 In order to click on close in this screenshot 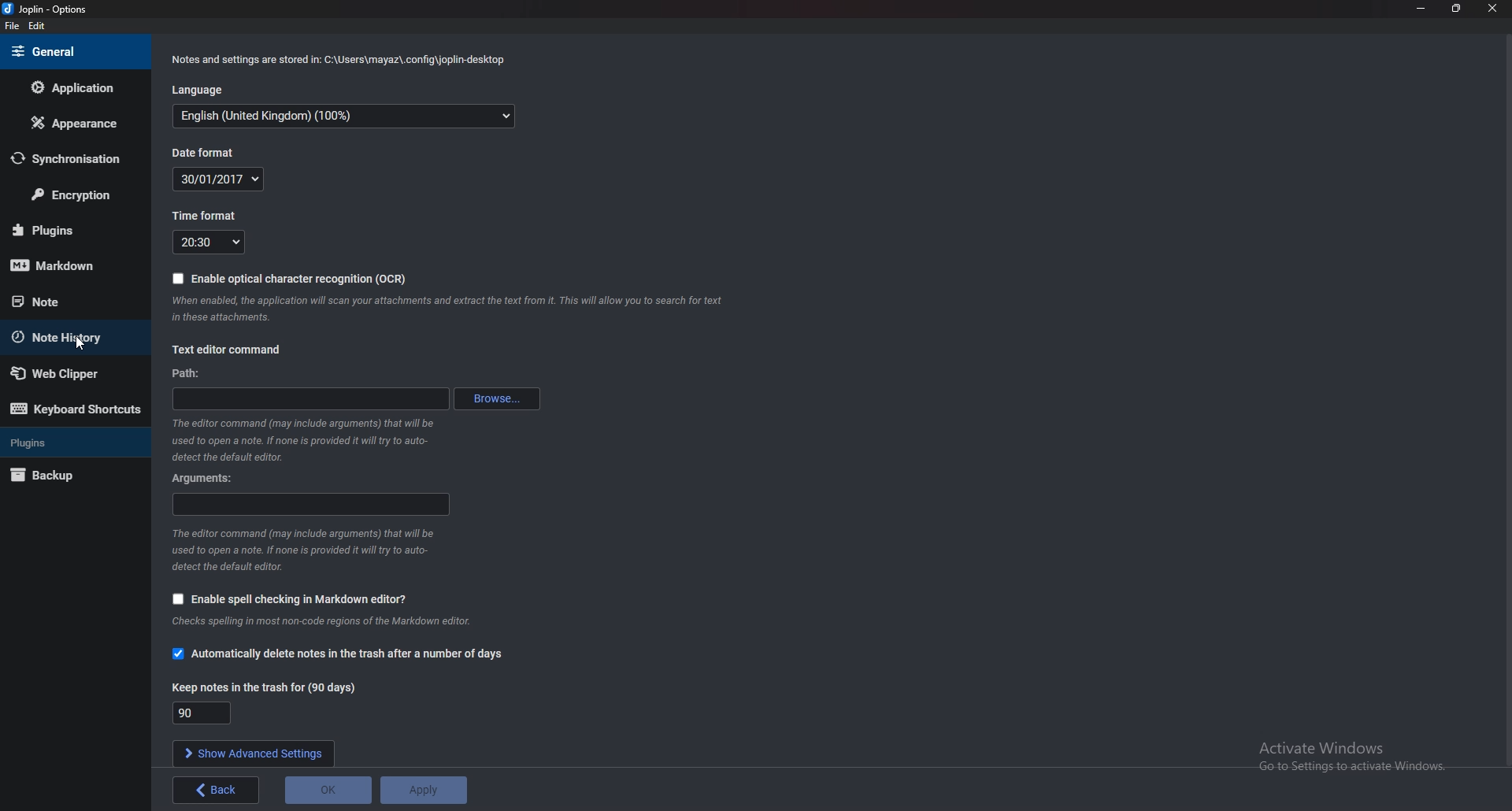, I will do `click(1493, 8)`.